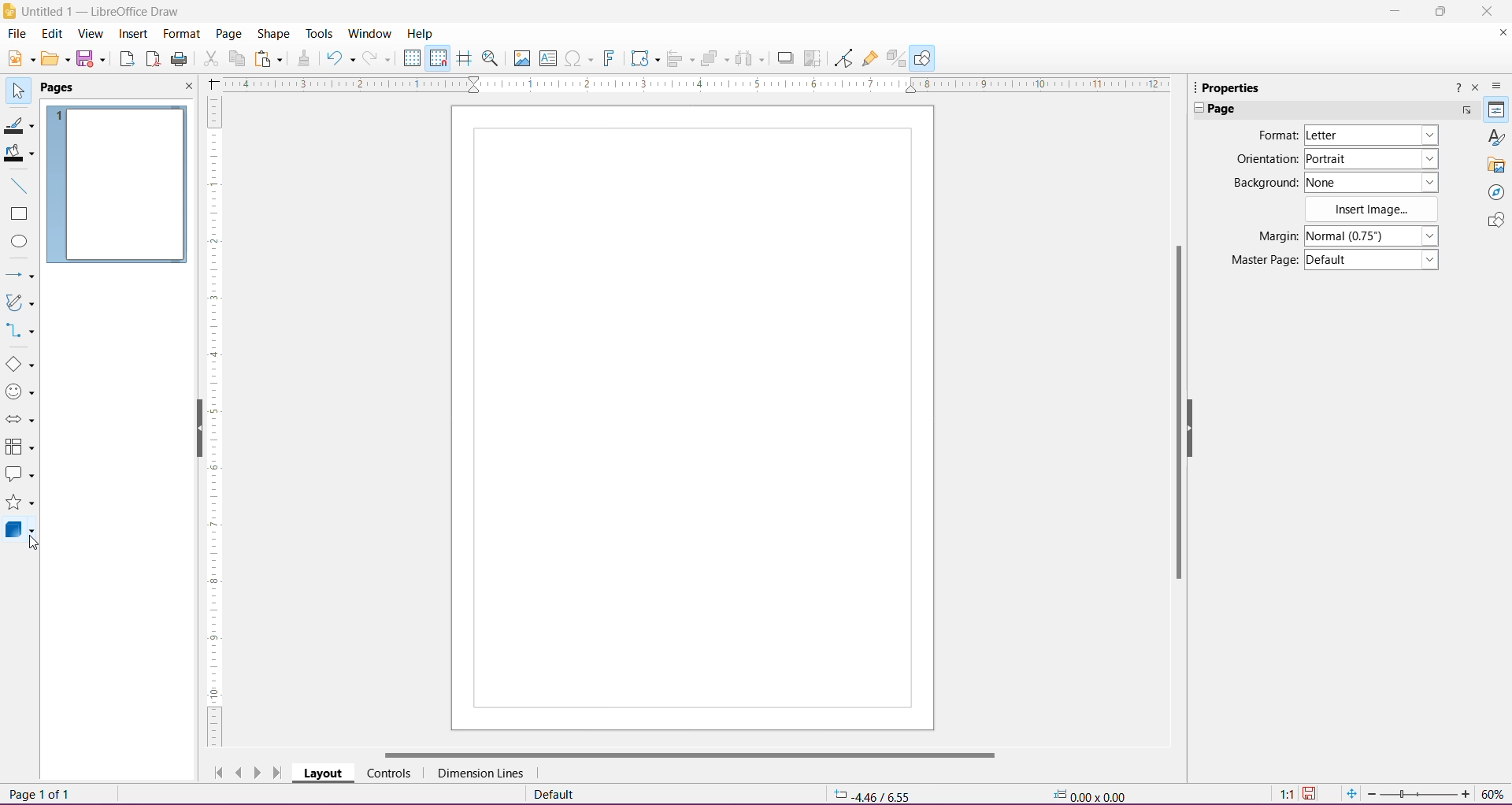  What do you see at coordinates (1495, 221) in the screenshot?
I see `Shapes` at bounding box center [1495, 221].